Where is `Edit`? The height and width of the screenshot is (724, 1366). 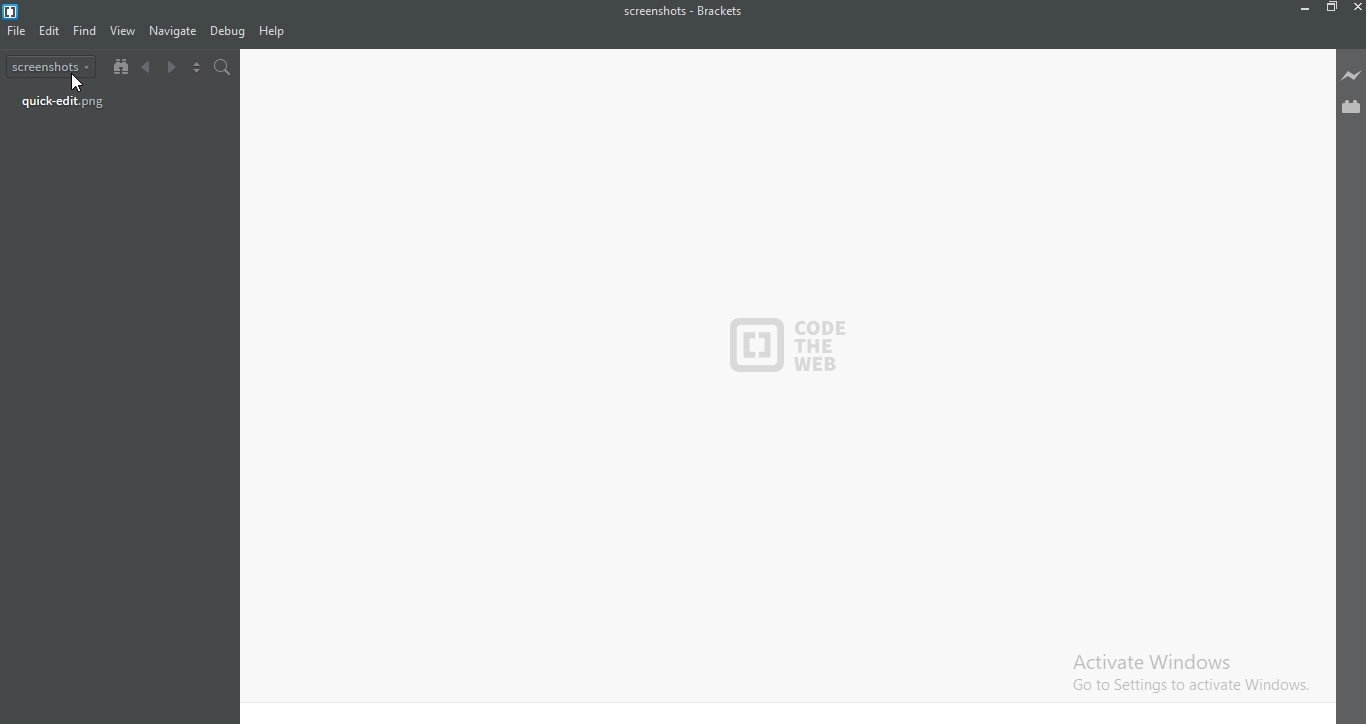
Edit is located at coordinates (49, 32).